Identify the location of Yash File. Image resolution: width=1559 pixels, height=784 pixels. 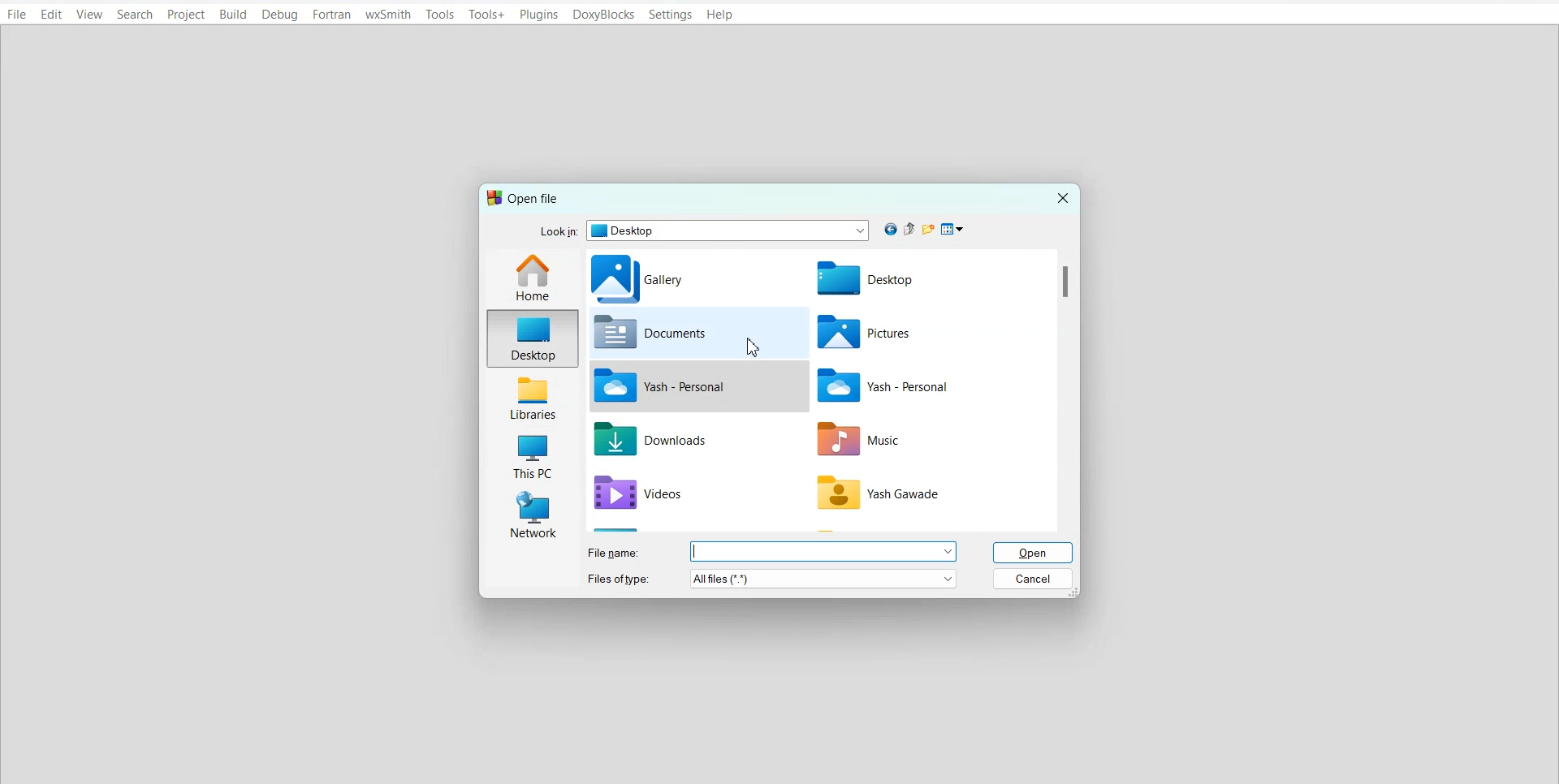
(927, 386).